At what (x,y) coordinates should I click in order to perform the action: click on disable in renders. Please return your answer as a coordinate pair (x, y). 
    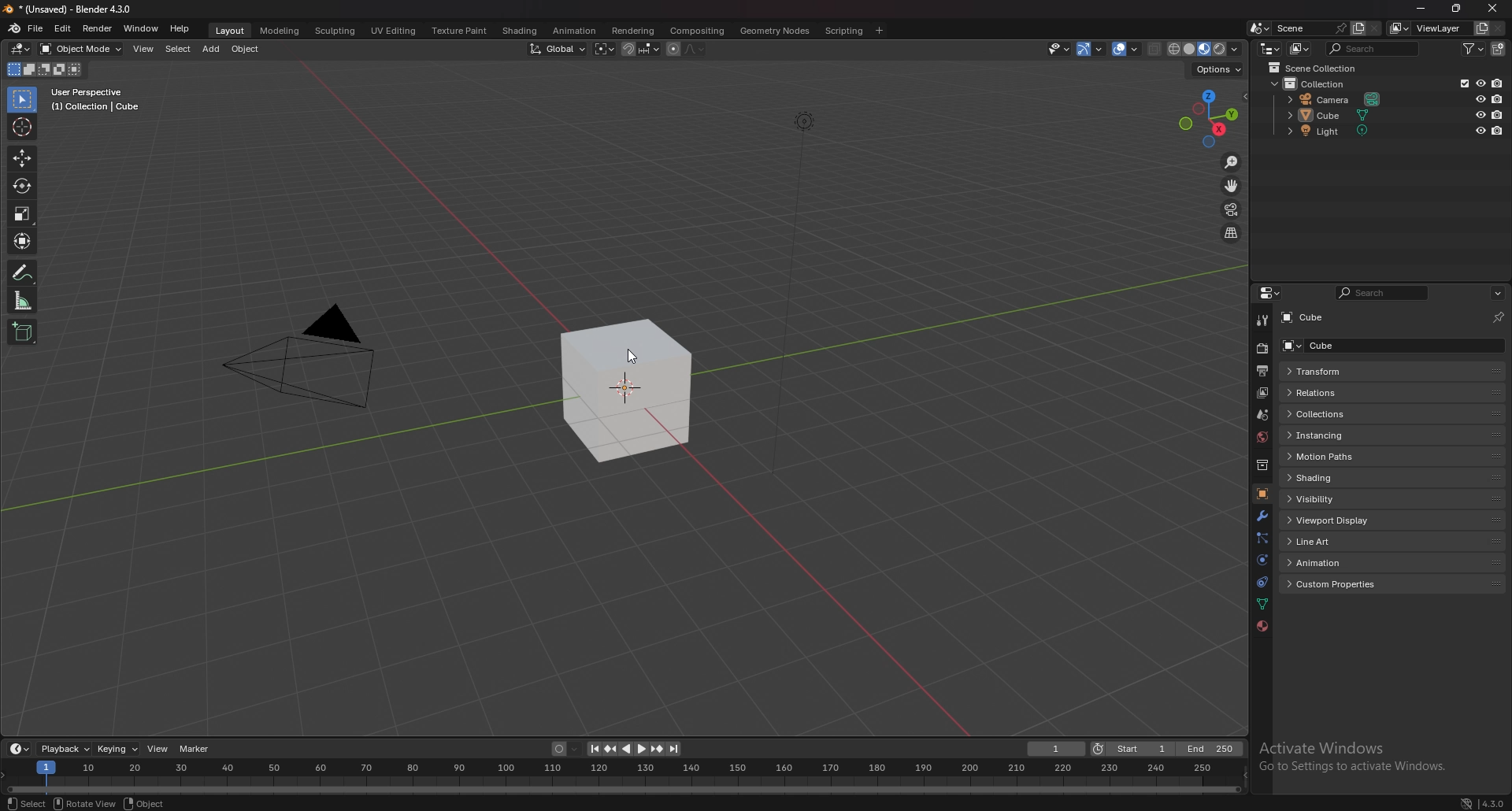
    Looking at the image, I should click on (1496, 83).